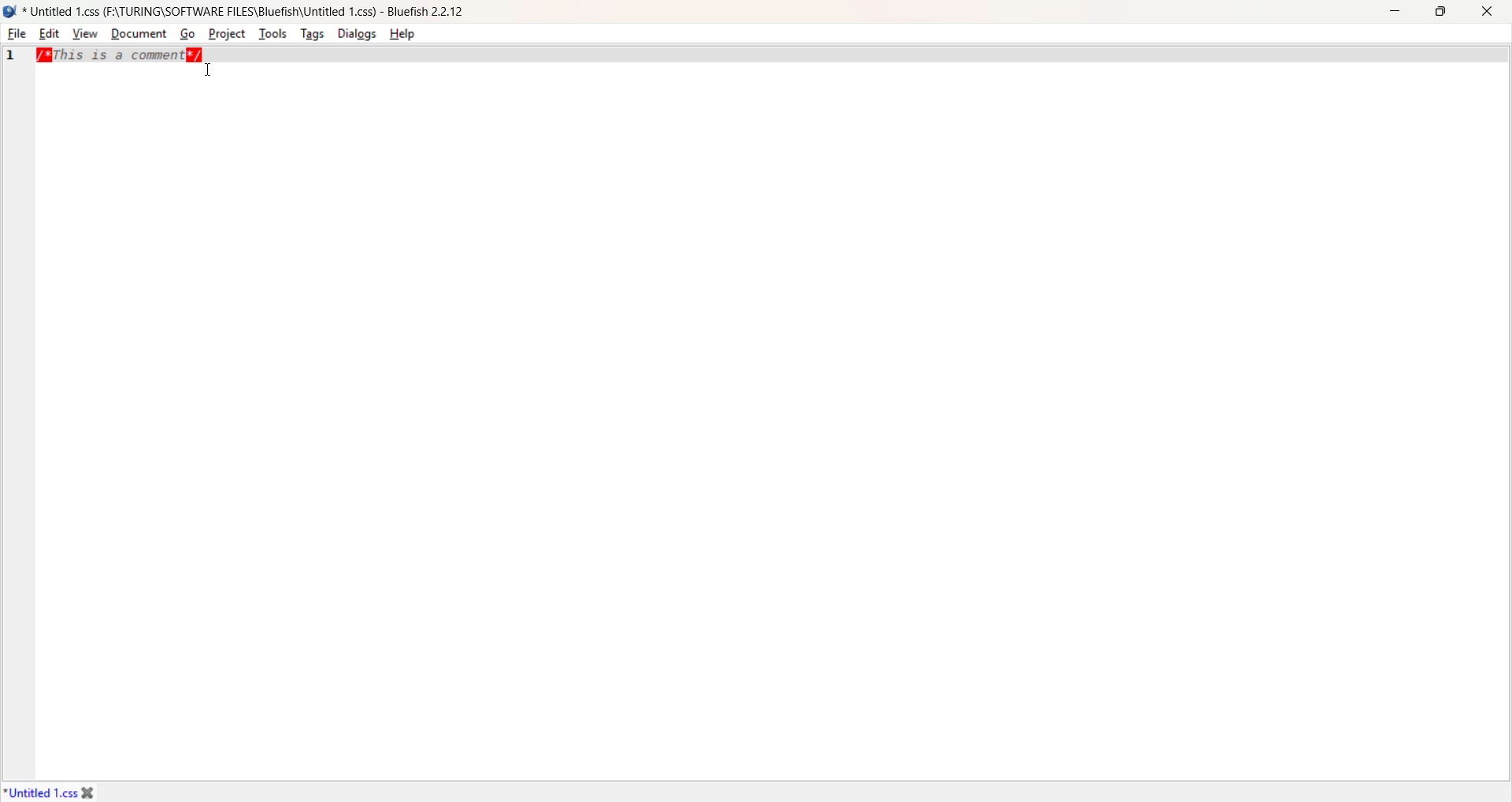 The height and width of the screenshot is (802, 1512). What do you see at coordinates (412, 32) in the screenshot?
I see `Help` at bounding box center [412, 32].